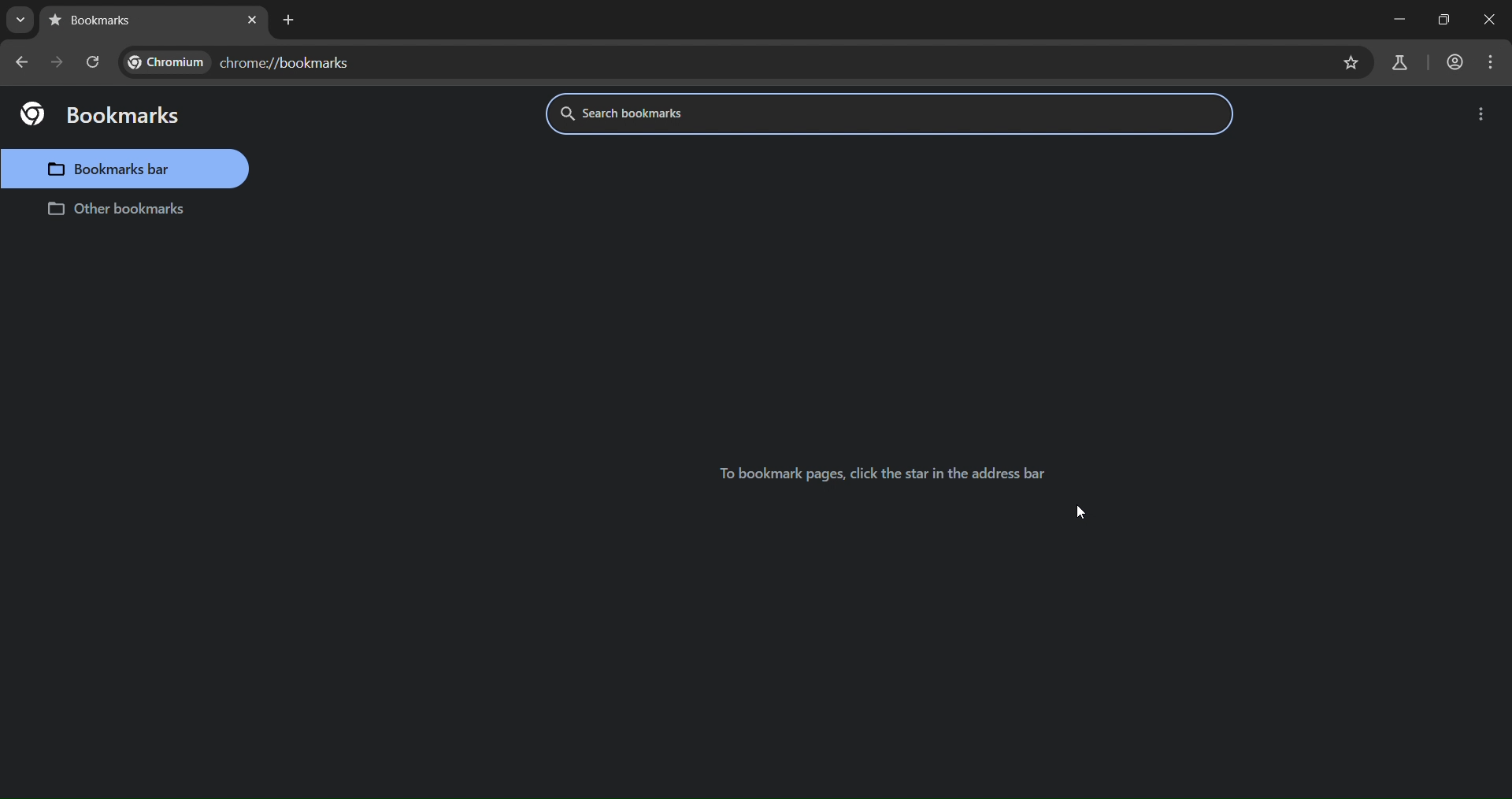 Image resolution: width=1512 pixels, height=799 pixels. What do you see at coordinates (127, 169) in the screenshot?
I see `bookmarks bar` at bounding box center [127, 169].